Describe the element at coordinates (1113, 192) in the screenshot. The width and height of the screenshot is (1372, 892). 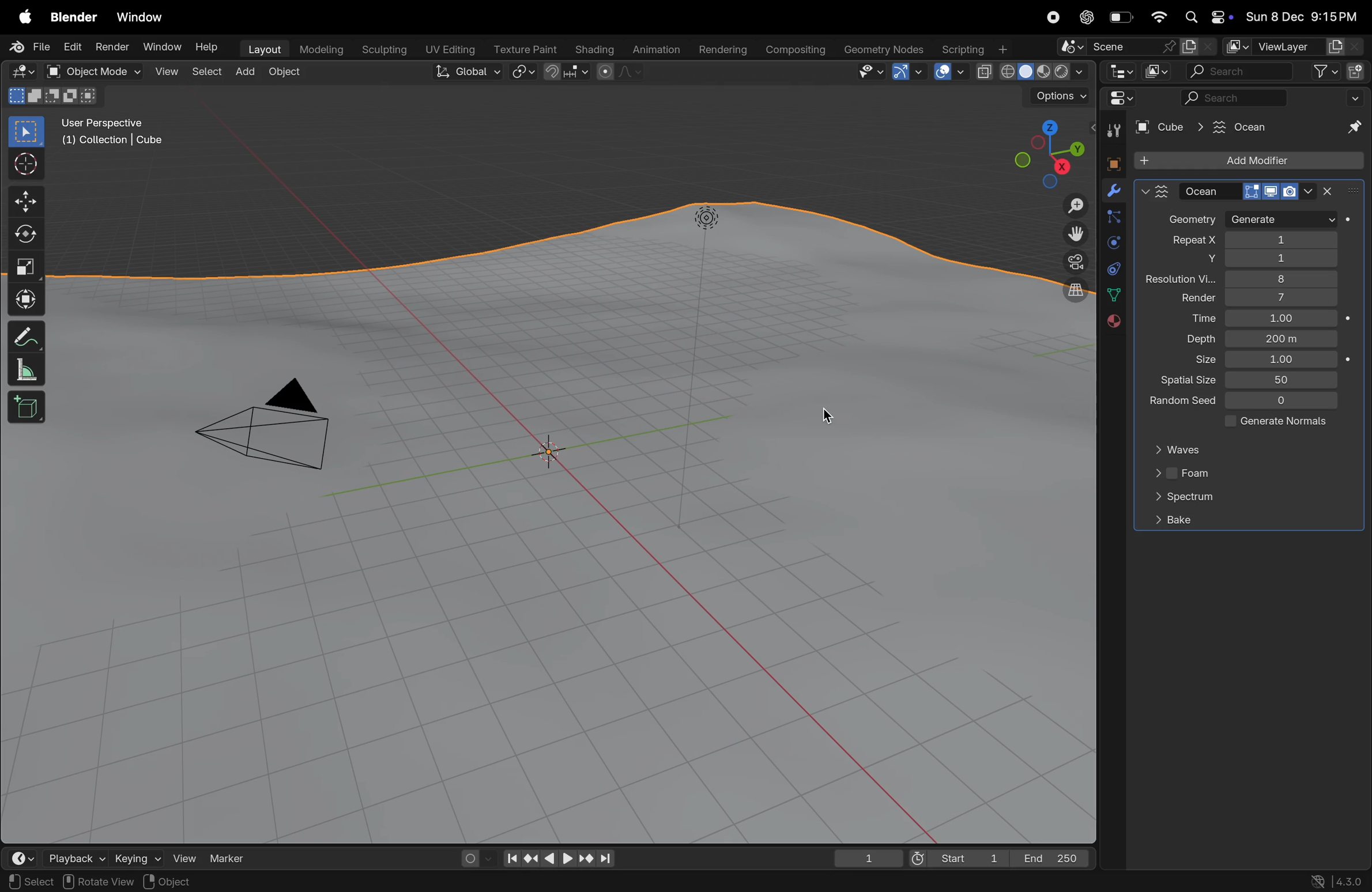
I see `modifiers` at that location.